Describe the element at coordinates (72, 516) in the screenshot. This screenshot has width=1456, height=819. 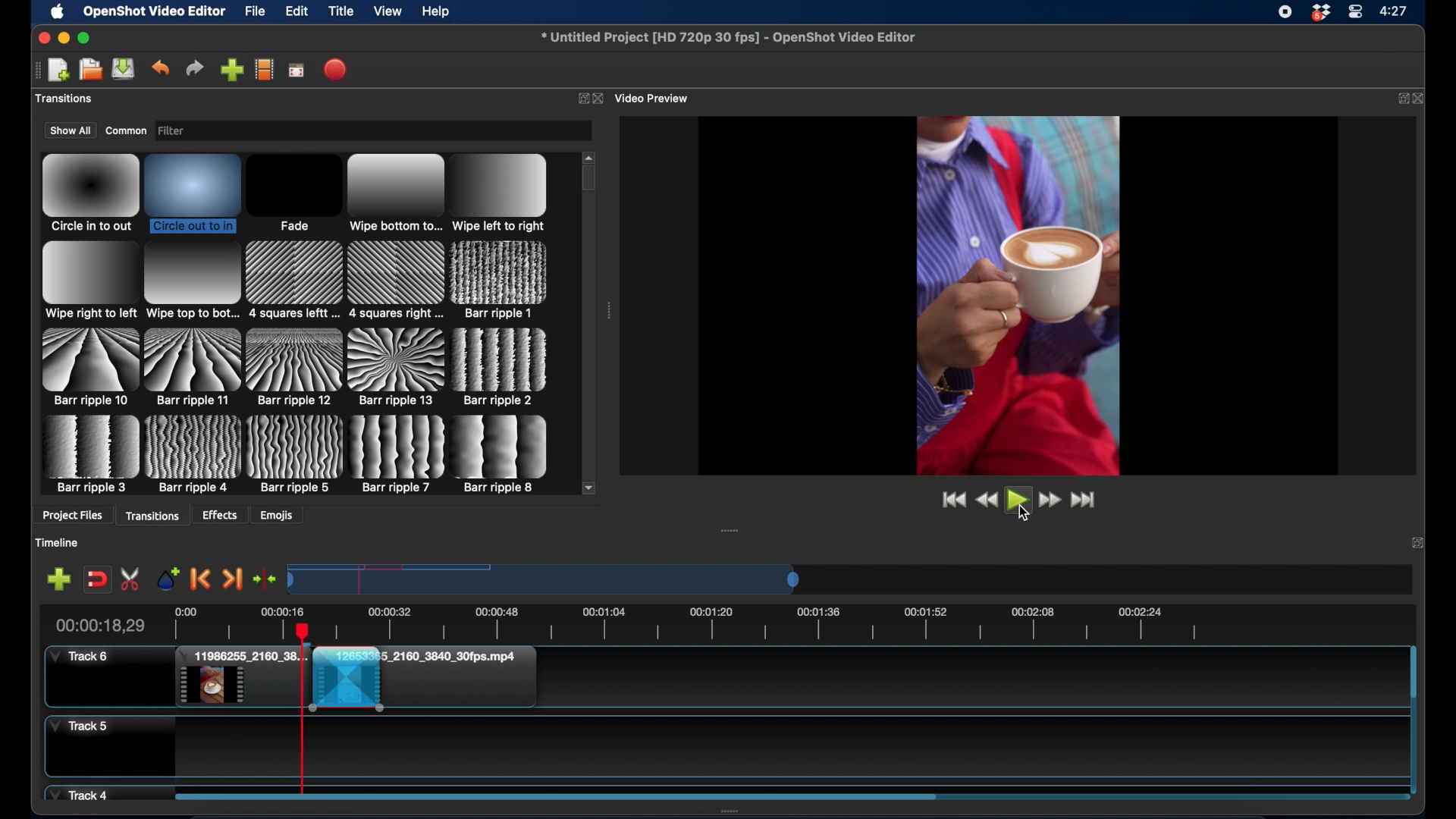
I see `project files` at that location.